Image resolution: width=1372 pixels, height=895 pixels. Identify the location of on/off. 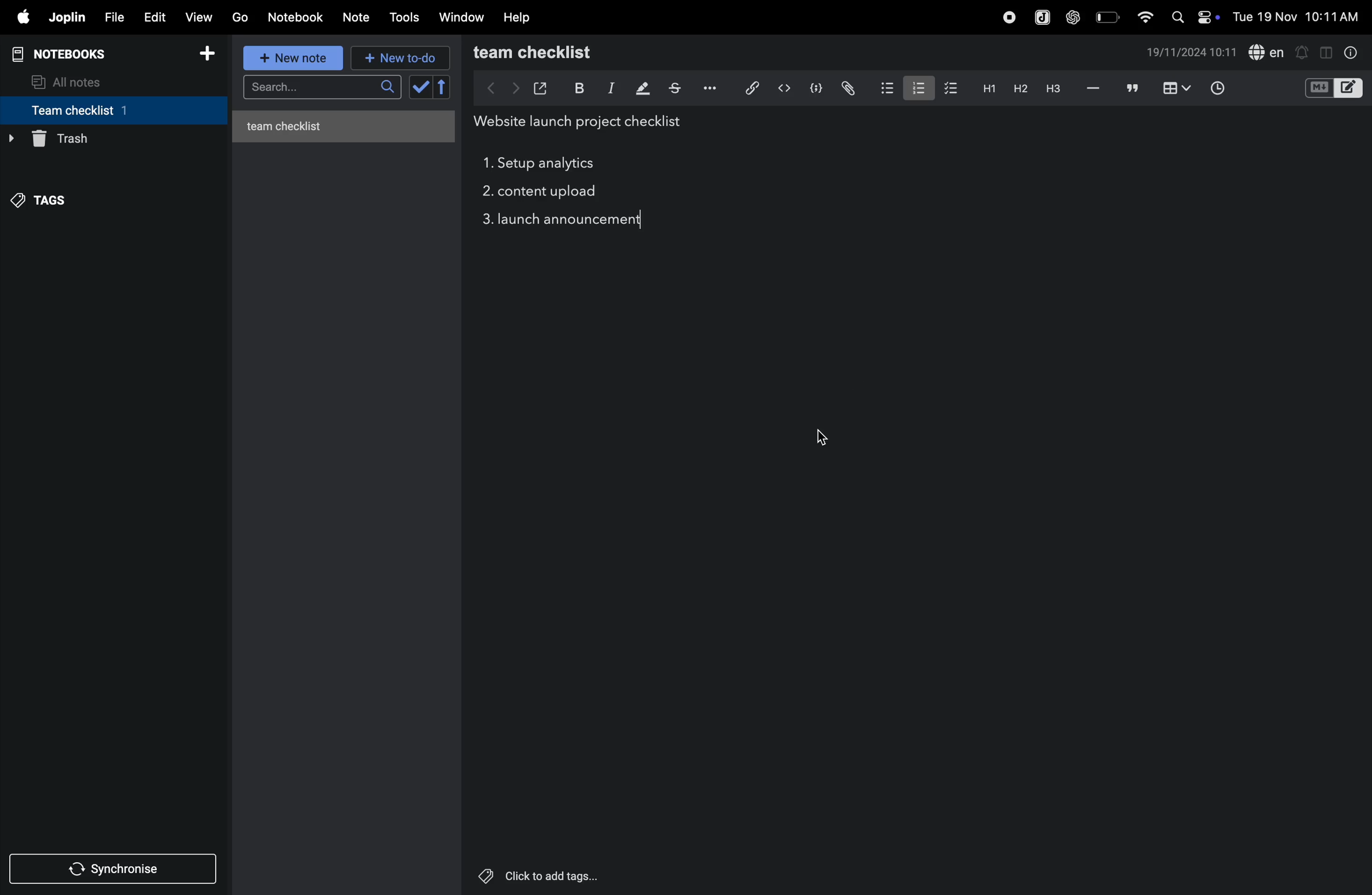
(1211, 17).